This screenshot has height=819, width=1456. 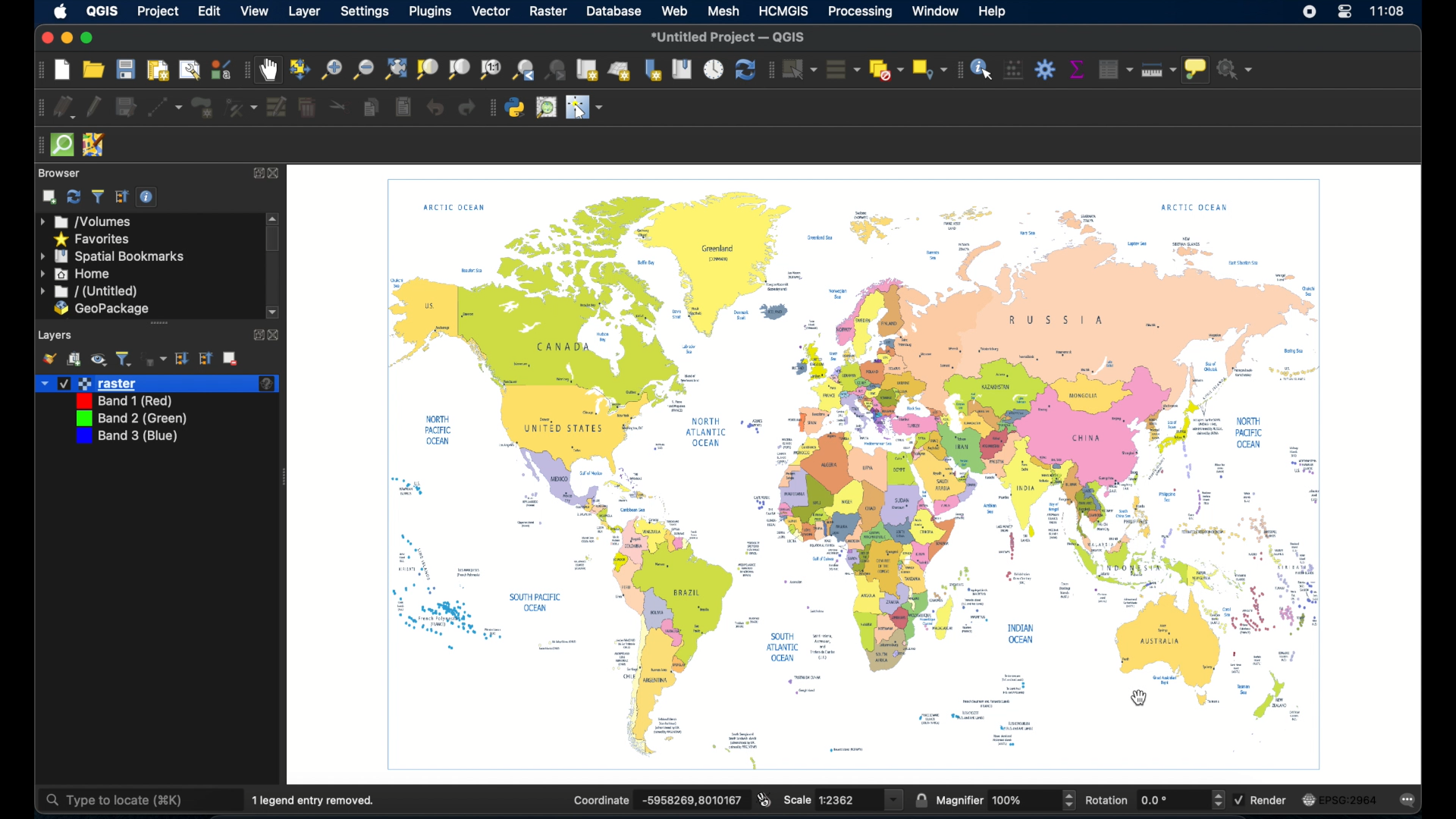 I want to click on drag handle, so click(x=160, y=322).